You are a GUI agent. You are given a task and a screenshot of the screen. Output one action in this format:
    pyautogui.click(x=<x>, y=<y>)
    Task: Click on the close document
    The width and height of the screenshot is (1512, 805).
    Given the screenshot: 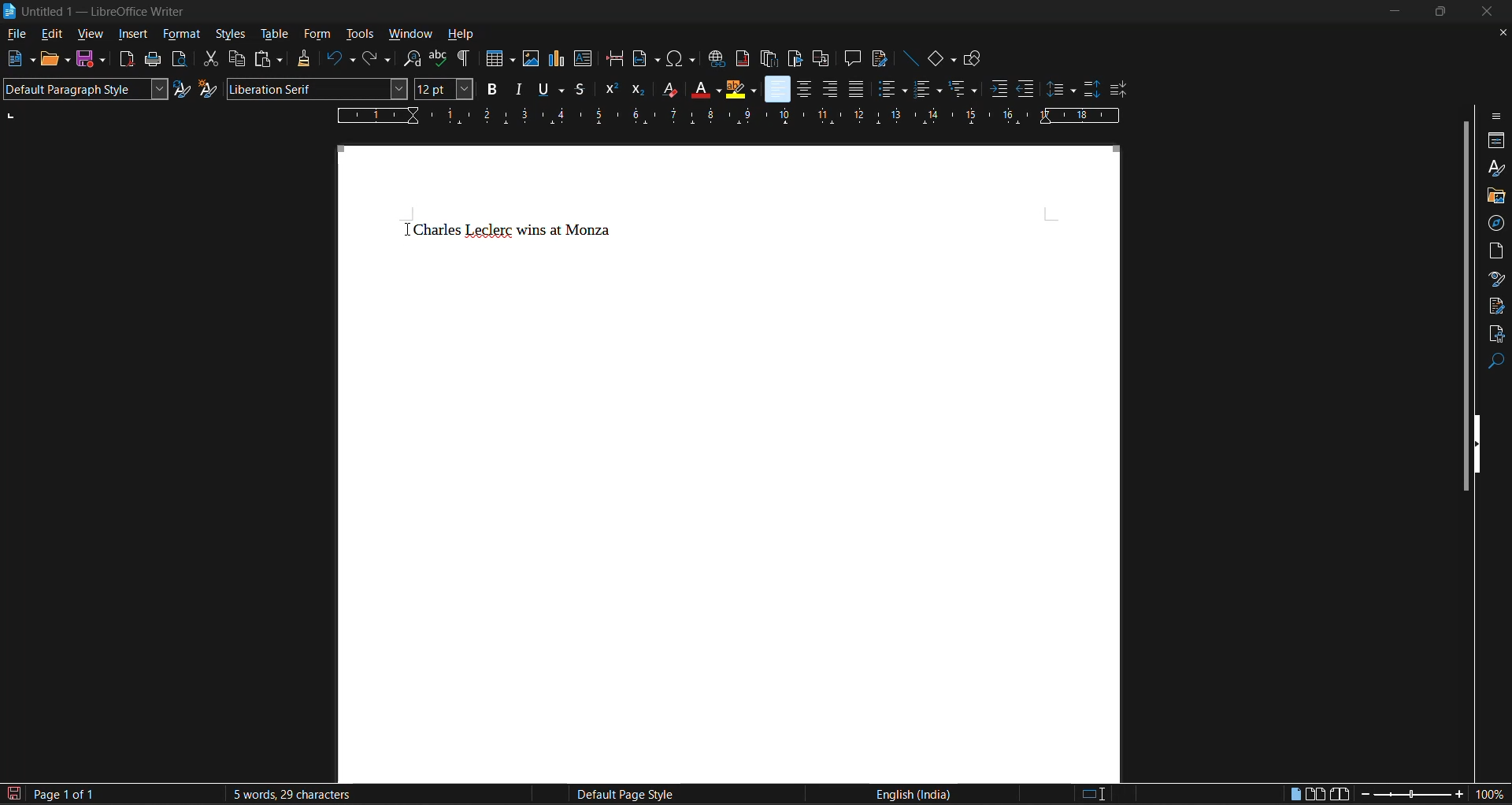 What is the action you would take?
    pyautogui.click(x=1498, y=33)
    